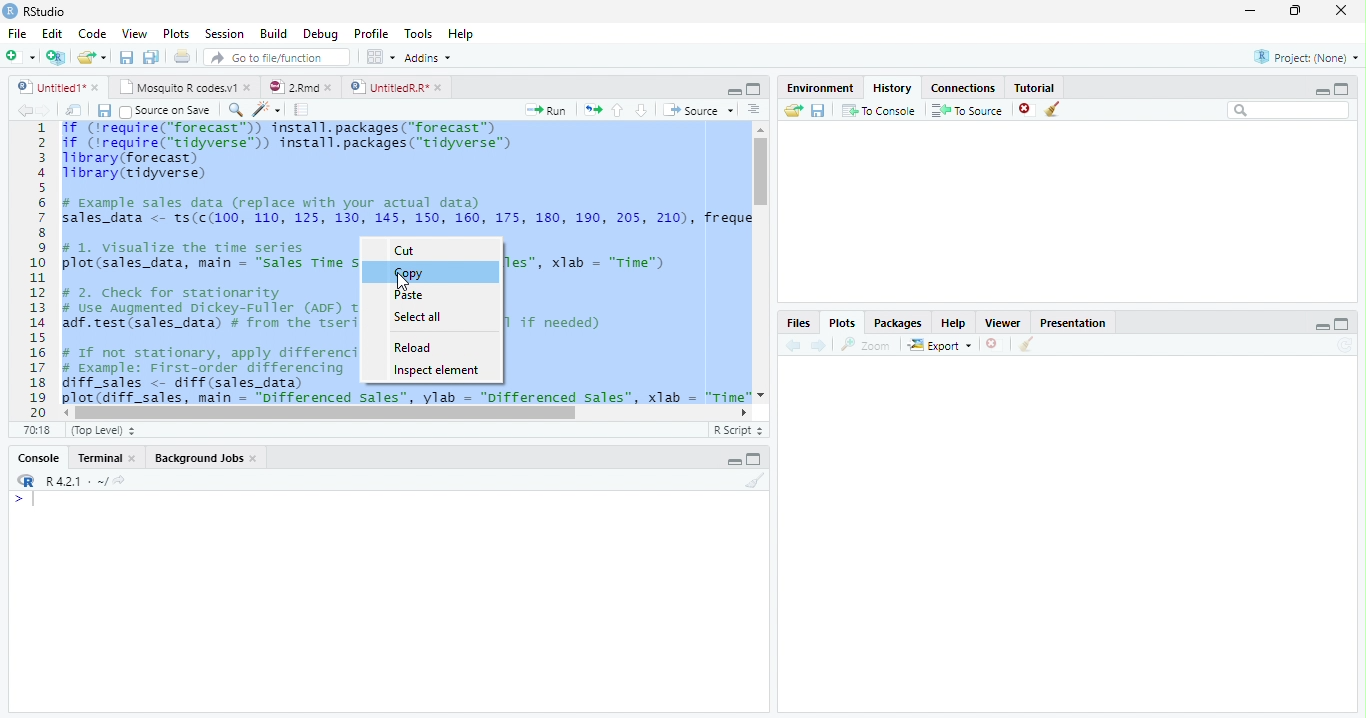 This screenshot has height=718, width=1366. Describe the element at coordinates (28, 502) in the screenshot. I see `Typing indicator` at that location.